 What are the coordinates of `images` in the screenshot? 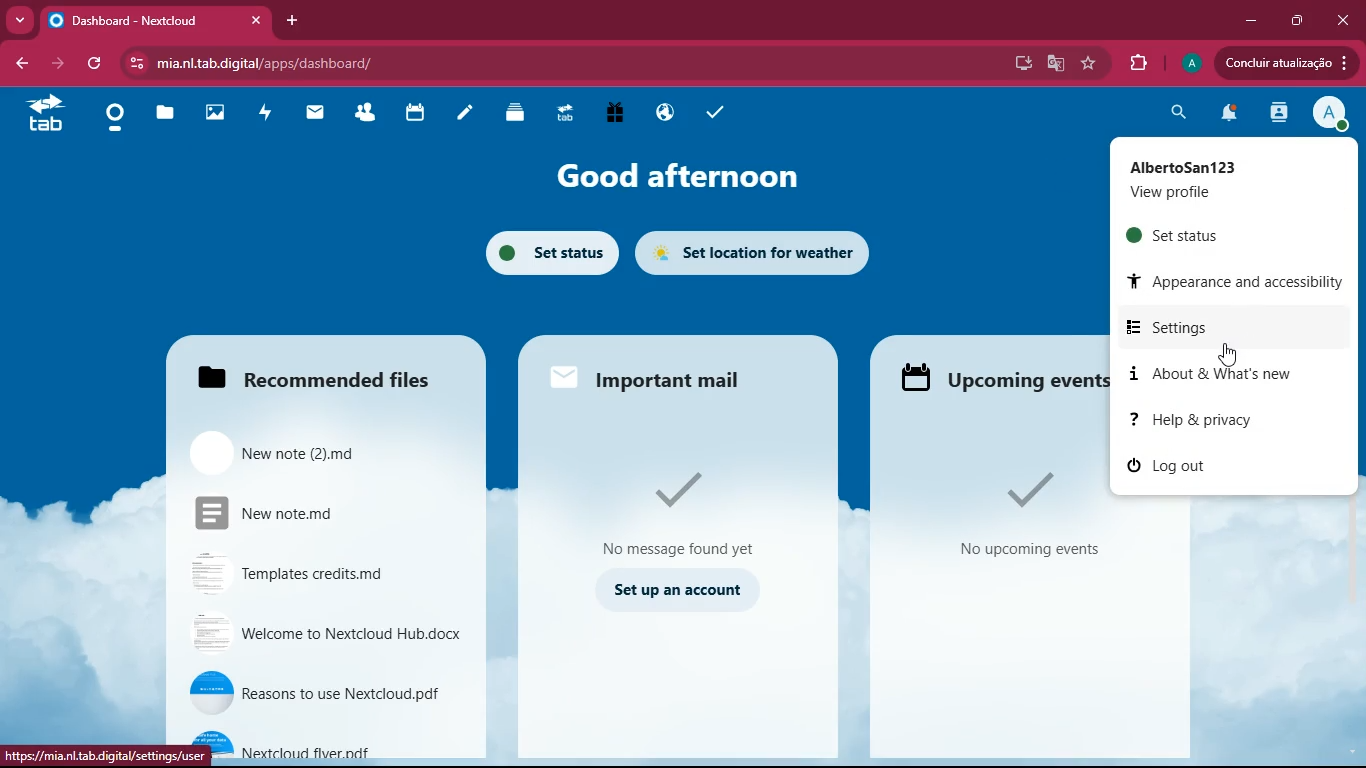 It's located at (214, 116).